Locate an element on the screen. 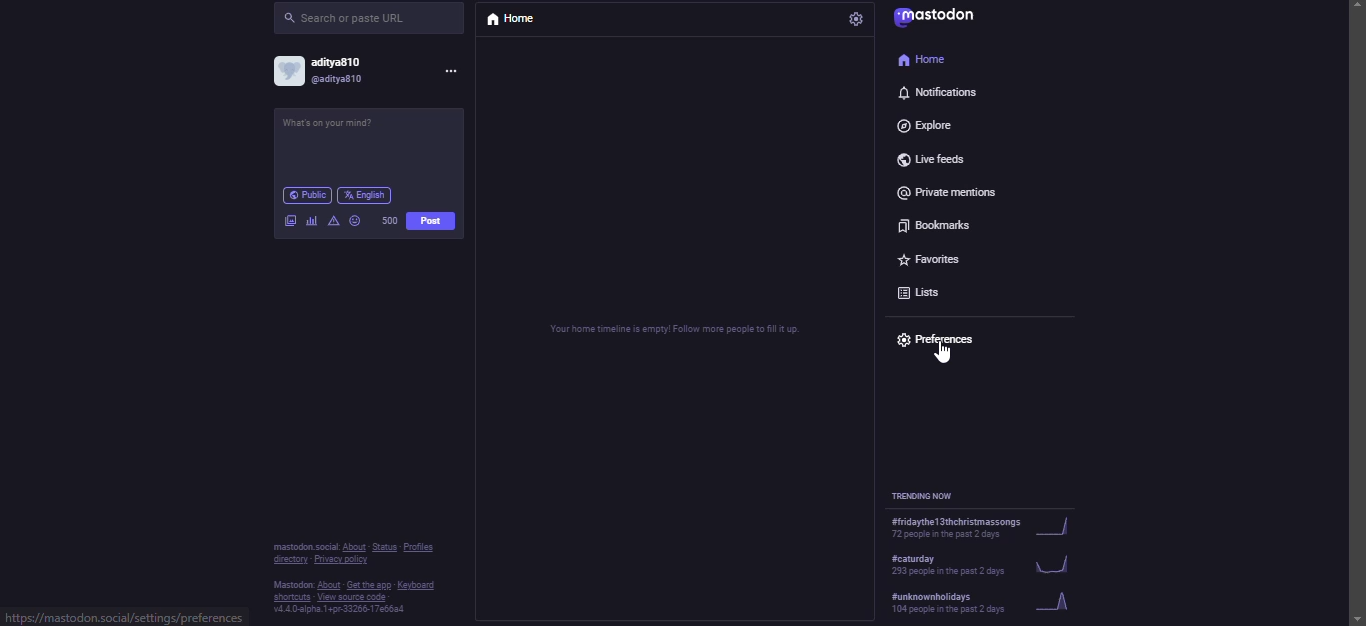  polls is located at coordinates (313, 220).